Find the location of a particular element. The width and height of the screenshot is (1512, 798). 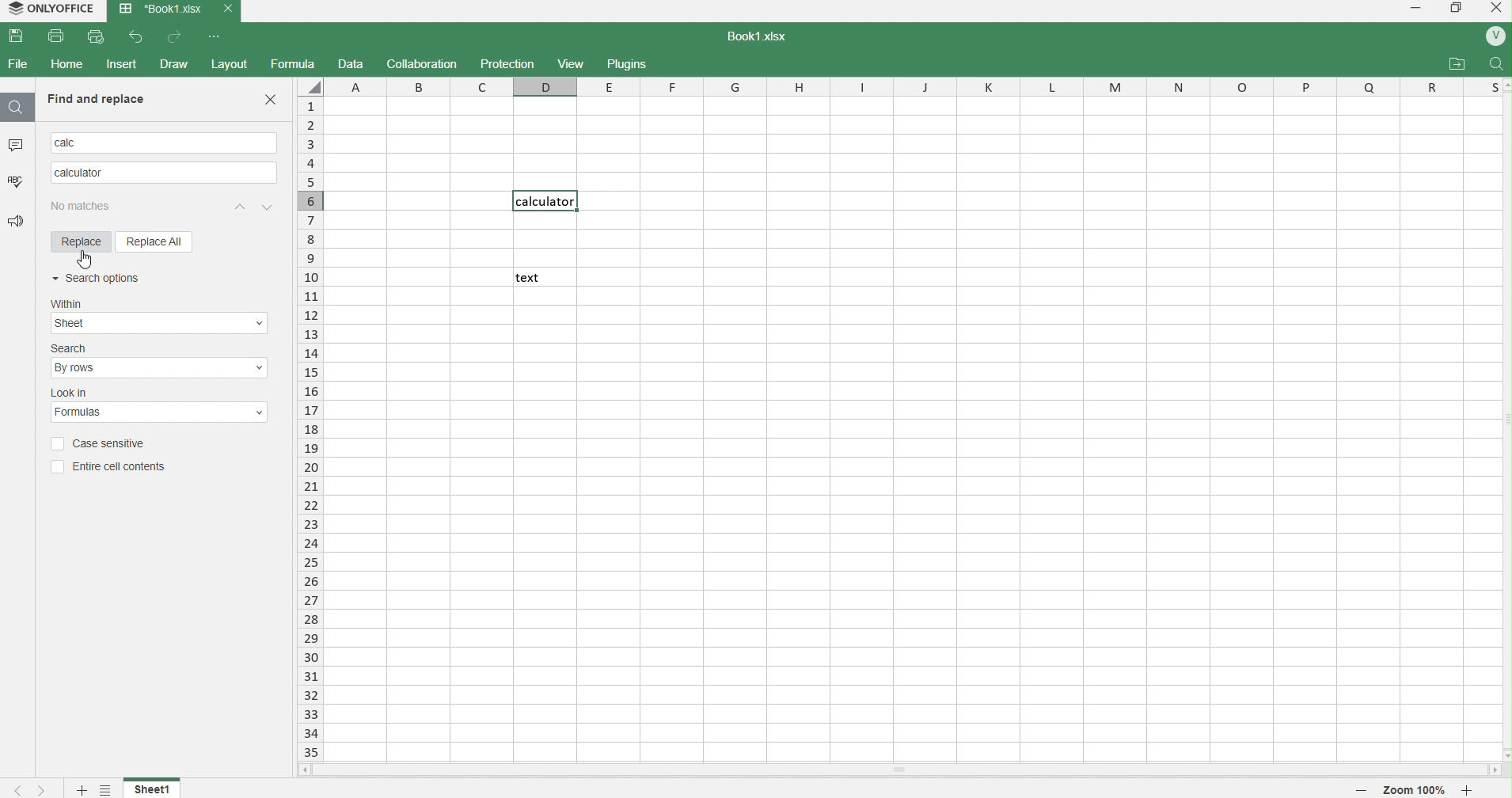

cursor is located at coordinates (88, 258).